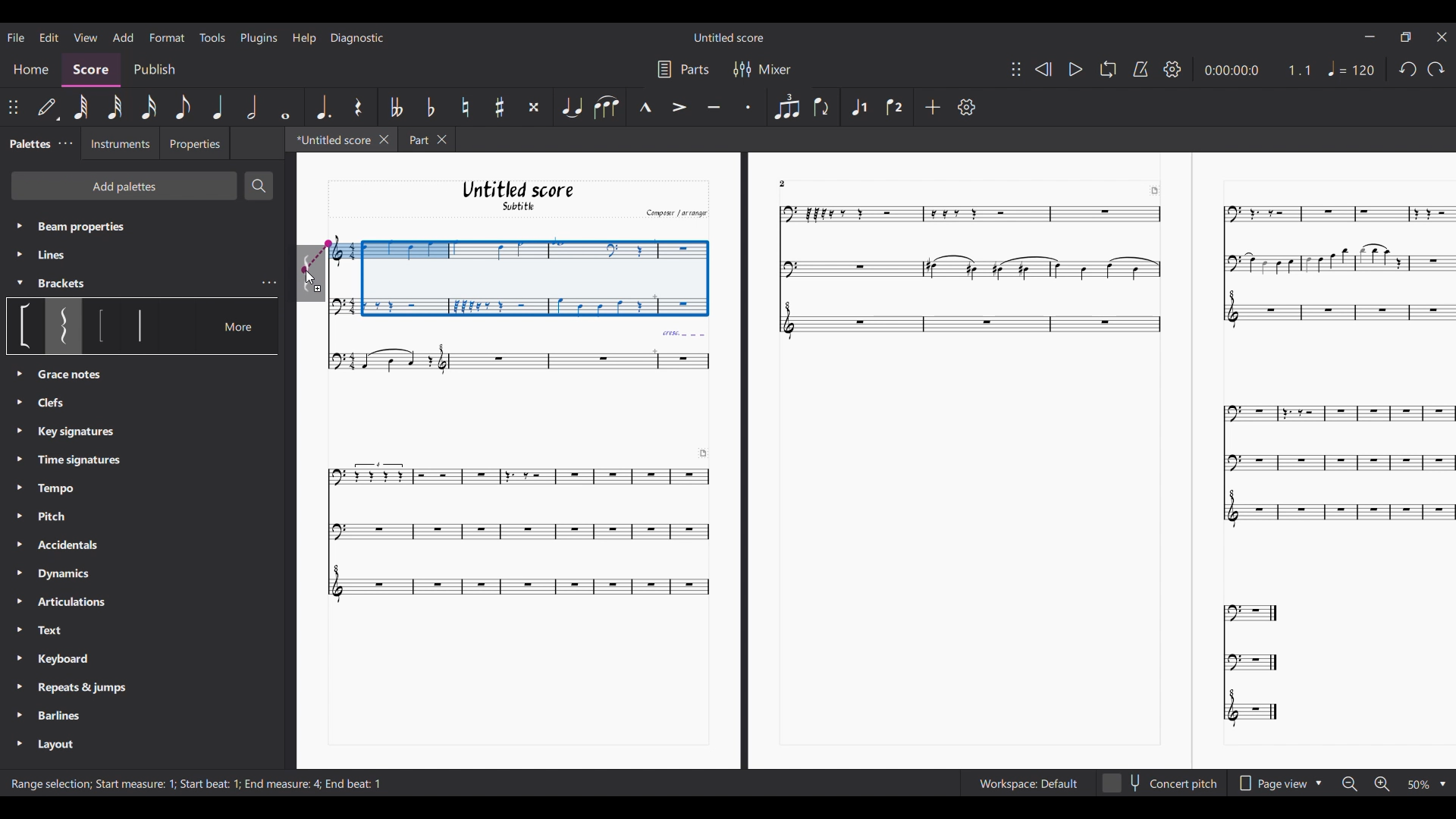  Describe the element at coordinates (65, 255) in the screenshot. I see `Line` at that location.